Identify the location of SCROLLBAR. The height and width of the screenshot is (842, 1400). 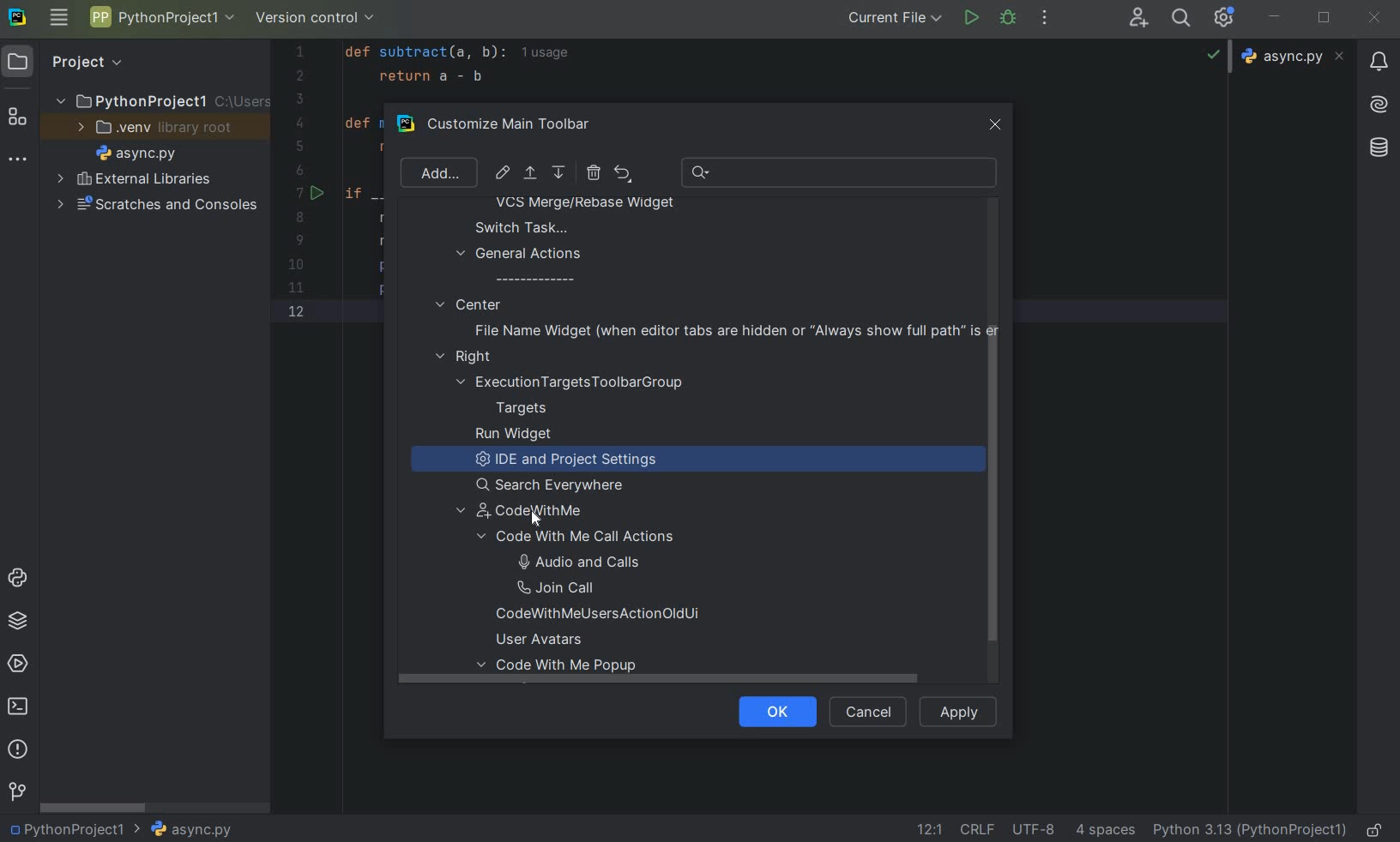
(94, 806).